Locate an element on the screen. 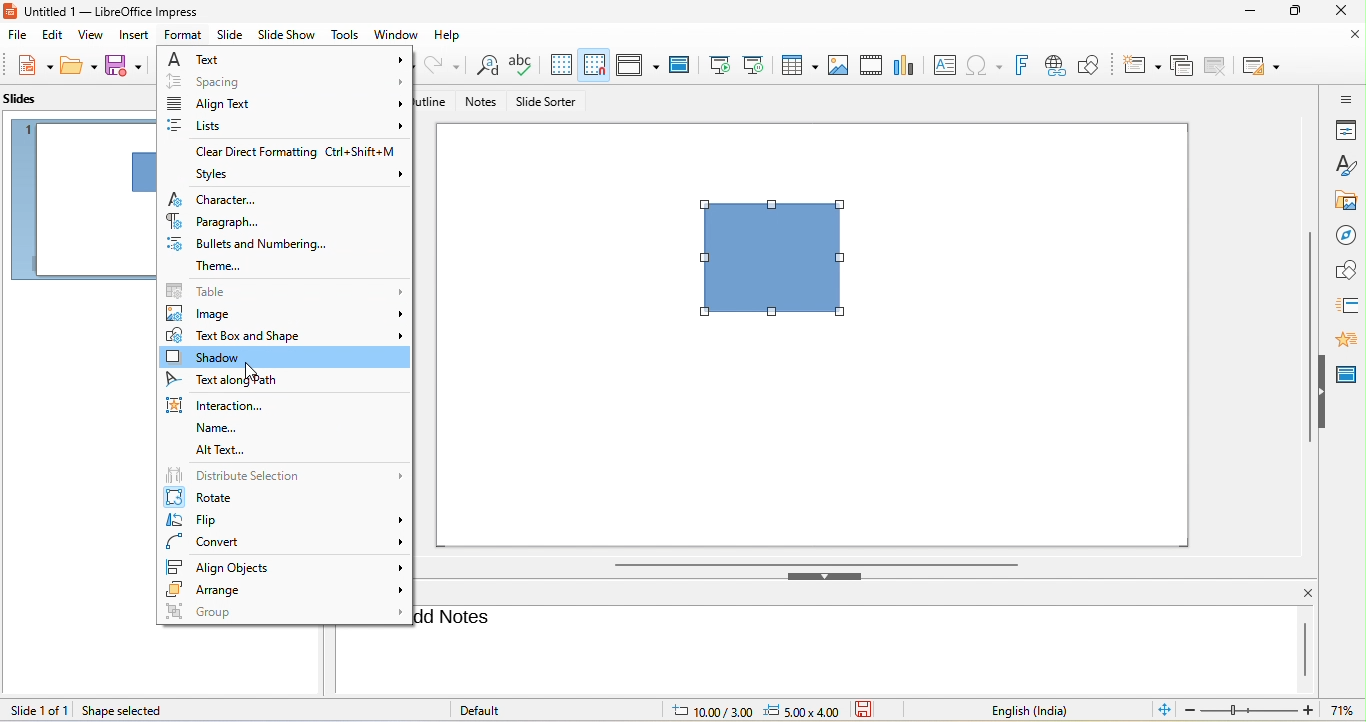  start from first slide is located at coordinates (719, 63).